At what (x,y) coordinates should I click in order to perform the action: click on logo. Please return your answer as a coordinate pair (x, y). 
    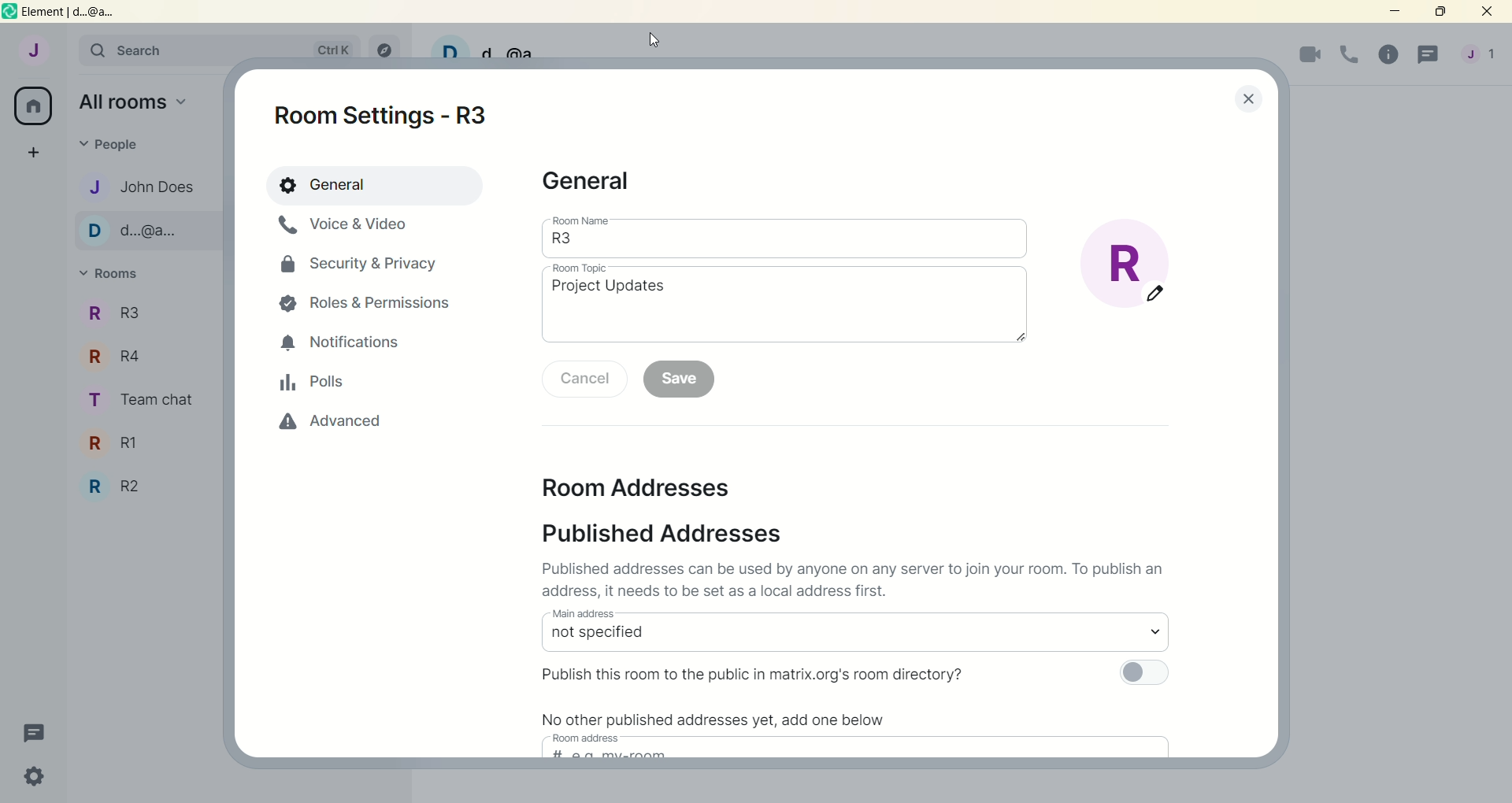
    Looking at the image, I should click on (10, 12).